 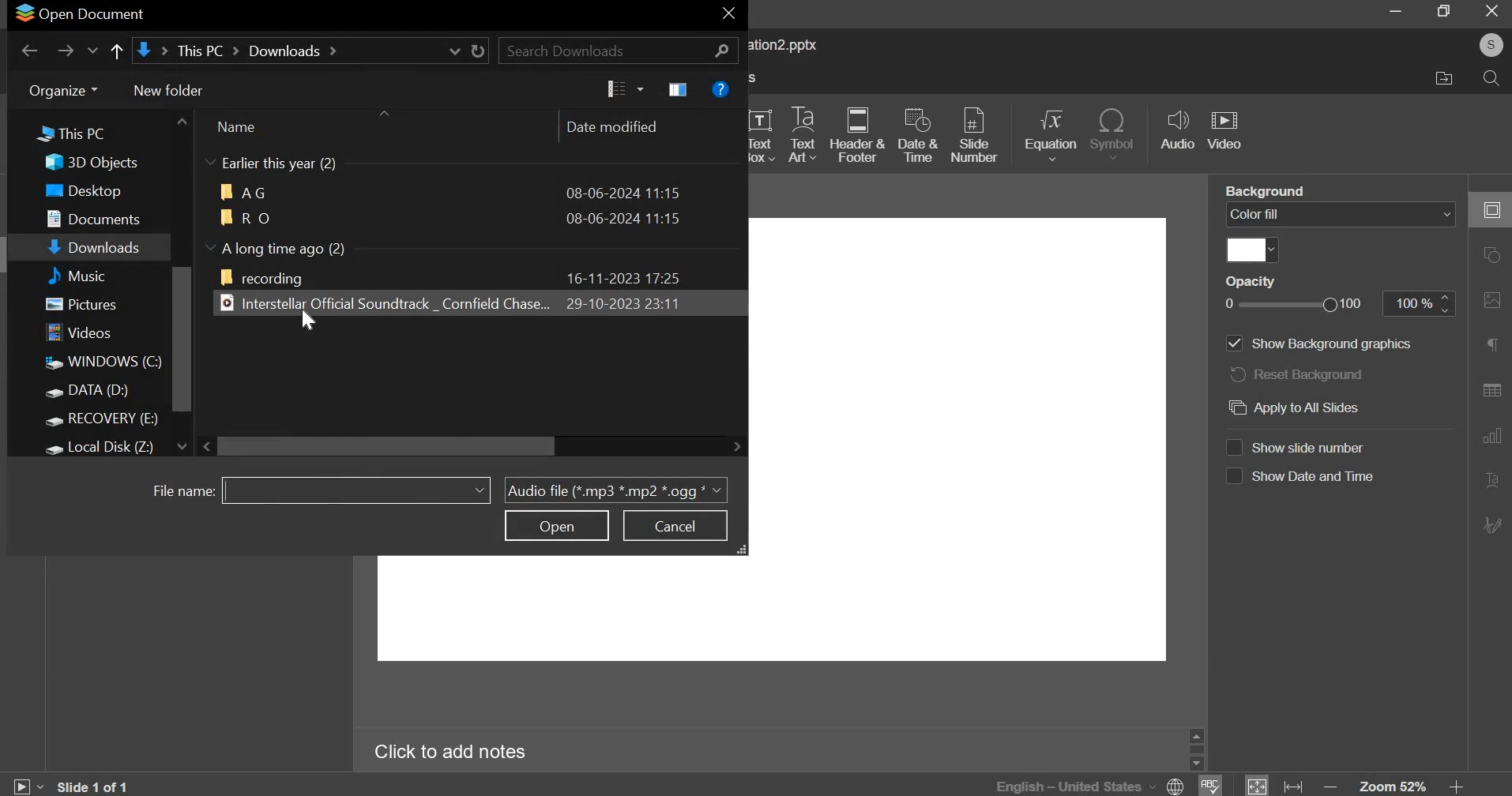 What do you see at coordinates (1301, 376) in the screenshot?
I see `reset background` at bounding box center [1301, 376].